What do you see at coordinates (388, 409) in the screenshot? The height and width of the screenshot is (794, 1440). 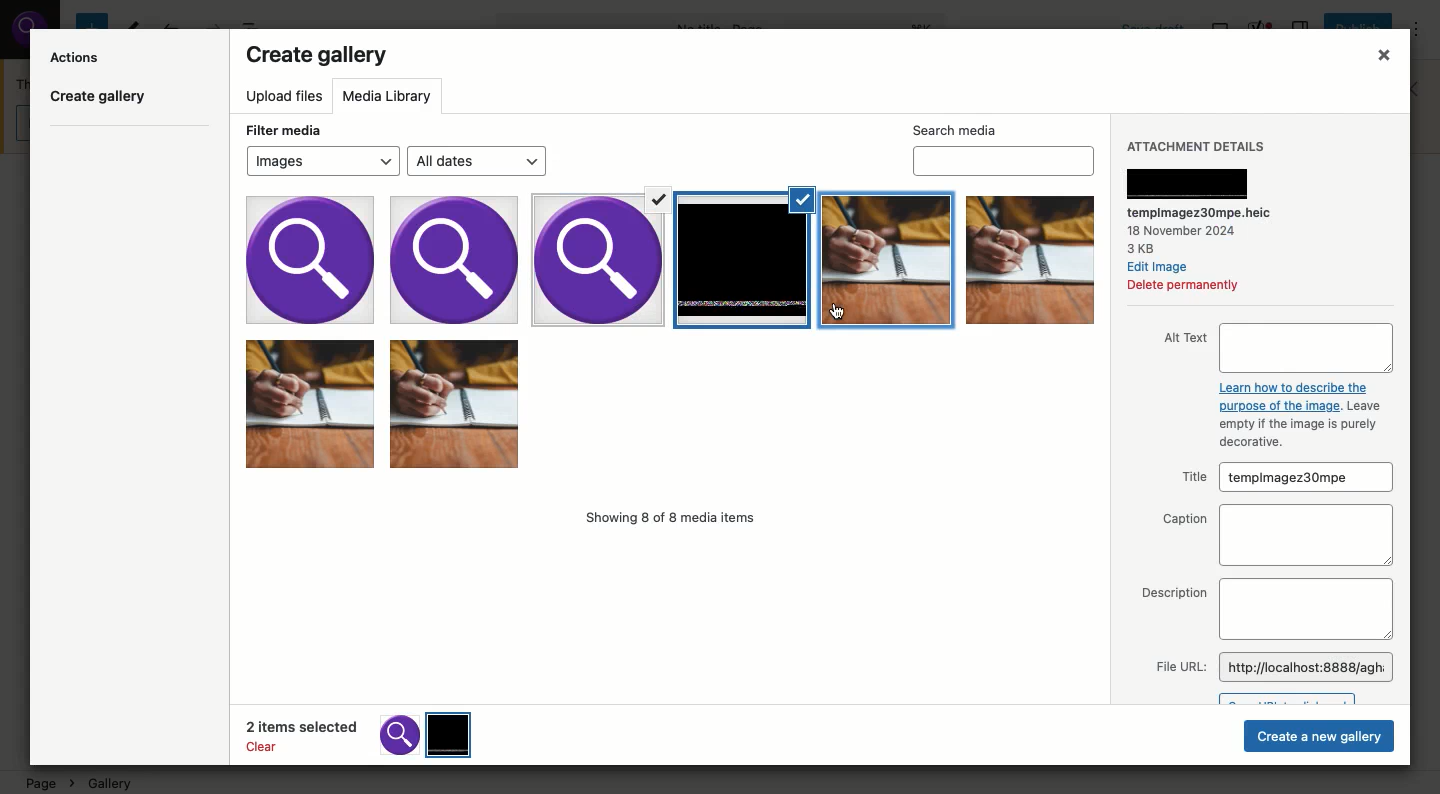 I see `Images` at bounding box center [388, 409].